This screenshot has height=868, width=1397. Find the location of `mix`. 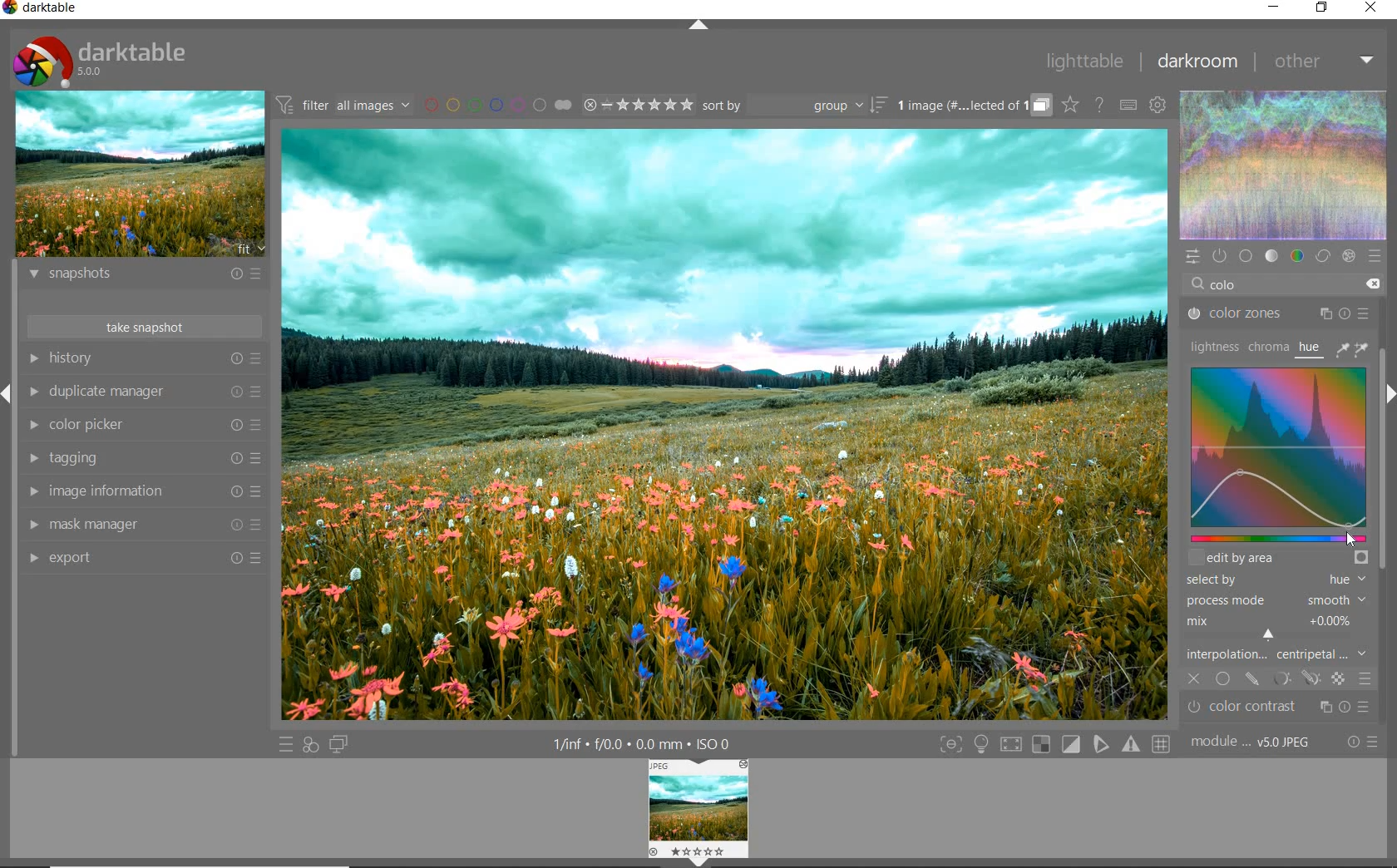

mix is located at coordinates (1279, 628).